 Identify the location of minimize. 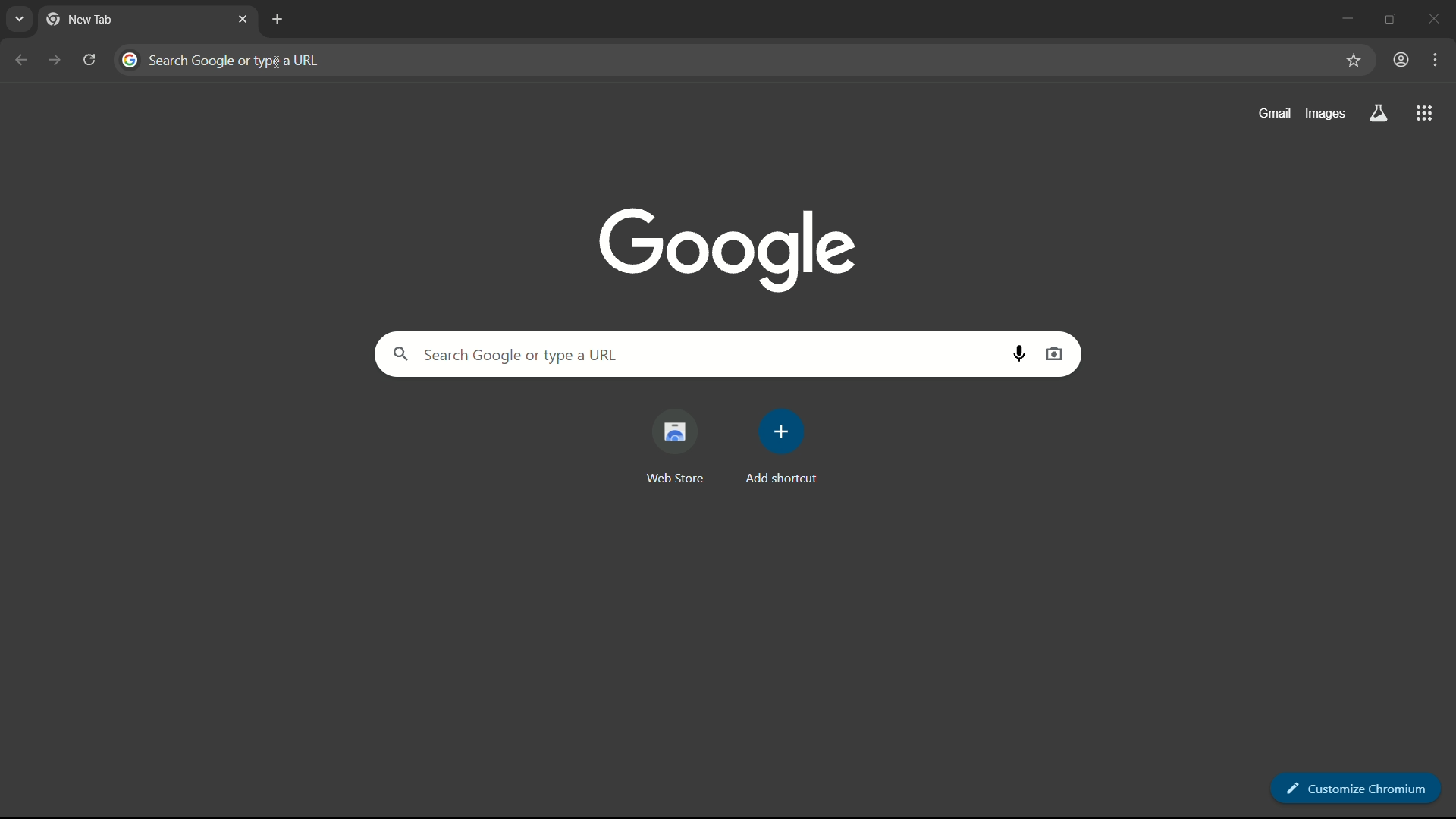
(1341, 20).